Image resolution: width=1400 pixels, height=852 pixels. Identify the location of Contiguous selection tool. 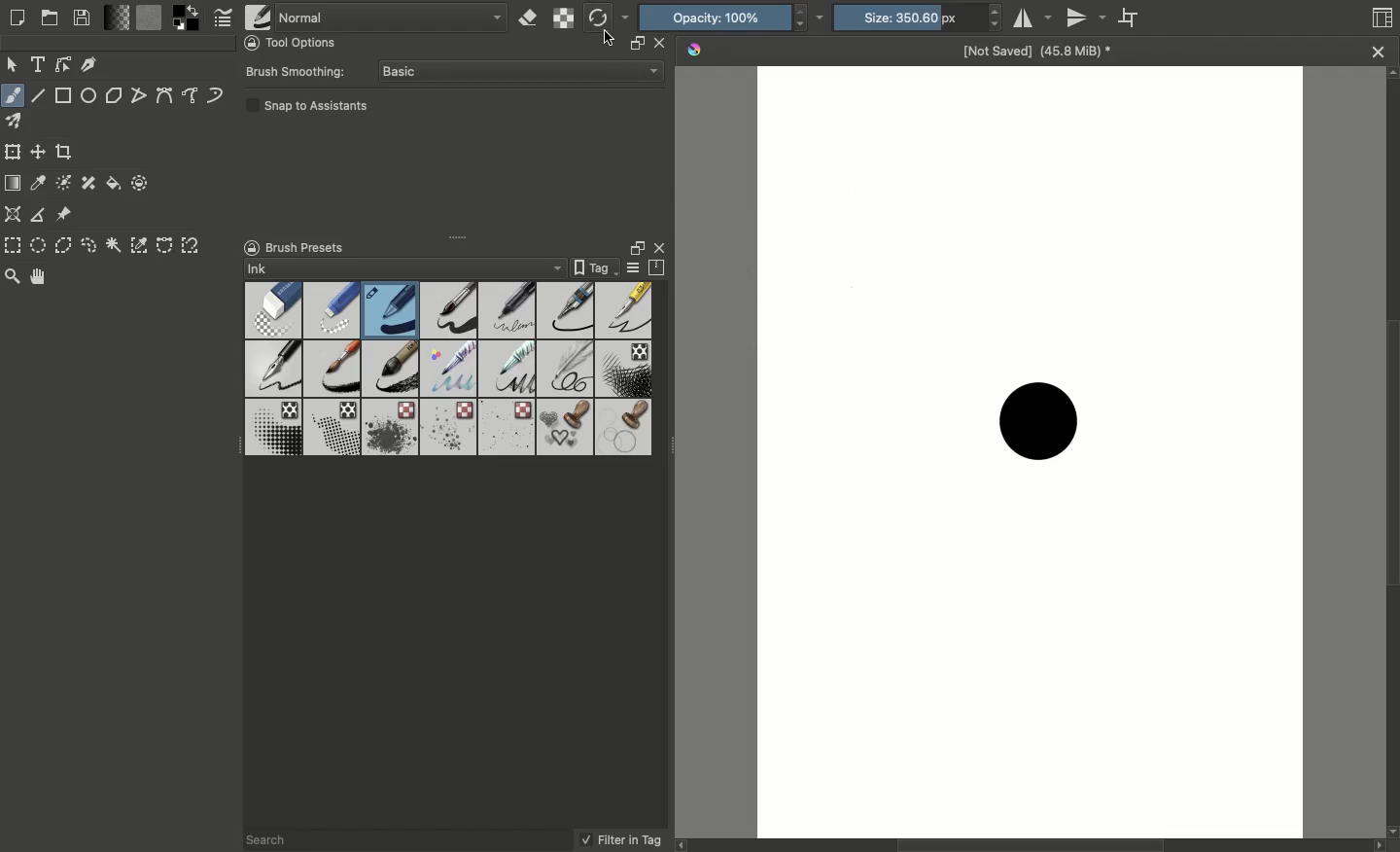
(115, 247).